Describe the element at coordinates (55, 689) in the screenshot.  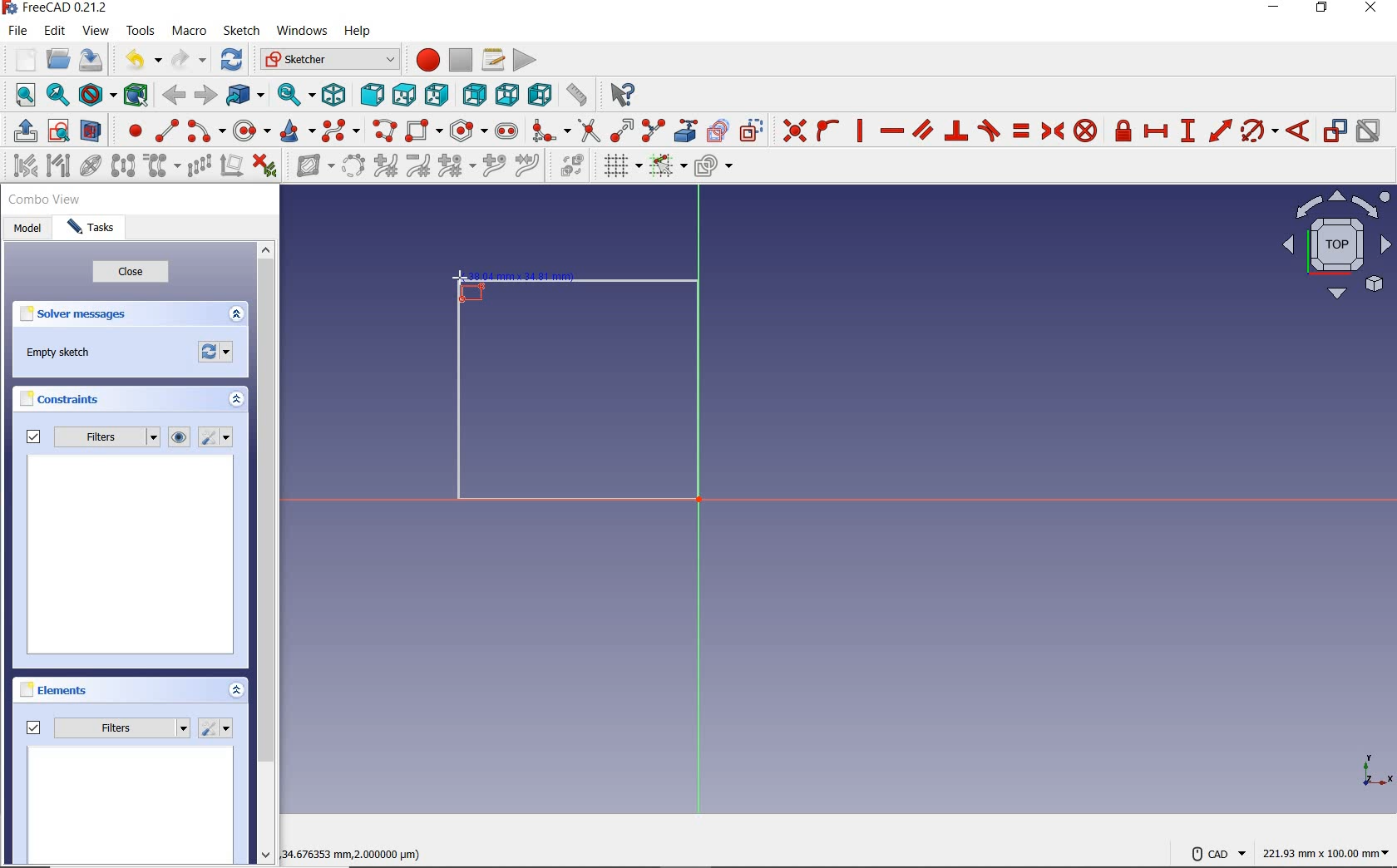
I see `elements` at that location.